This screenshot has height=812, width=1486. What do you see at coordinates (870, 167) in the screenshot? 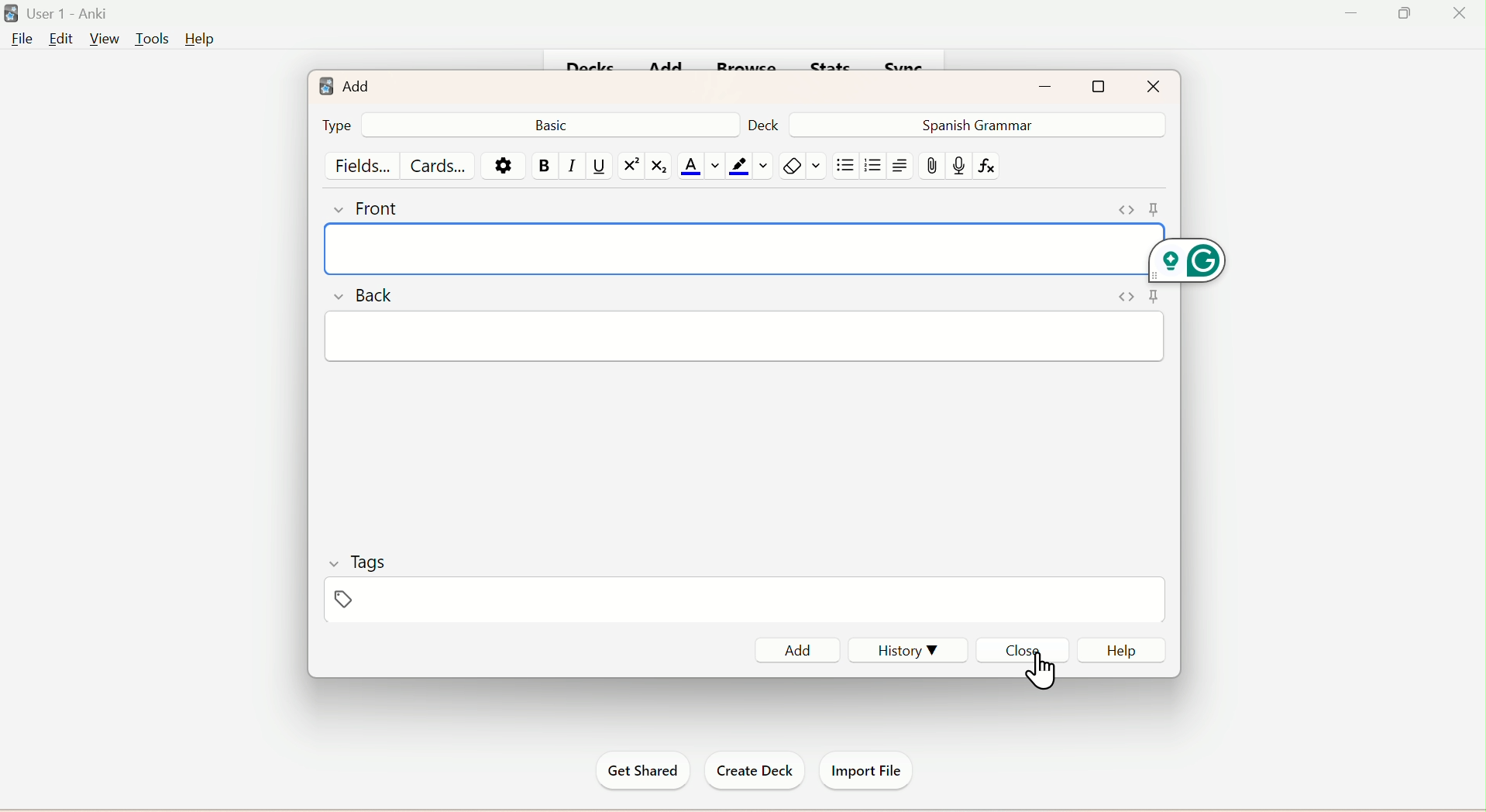
I see `/organised List` at bounding box center [870, 167].